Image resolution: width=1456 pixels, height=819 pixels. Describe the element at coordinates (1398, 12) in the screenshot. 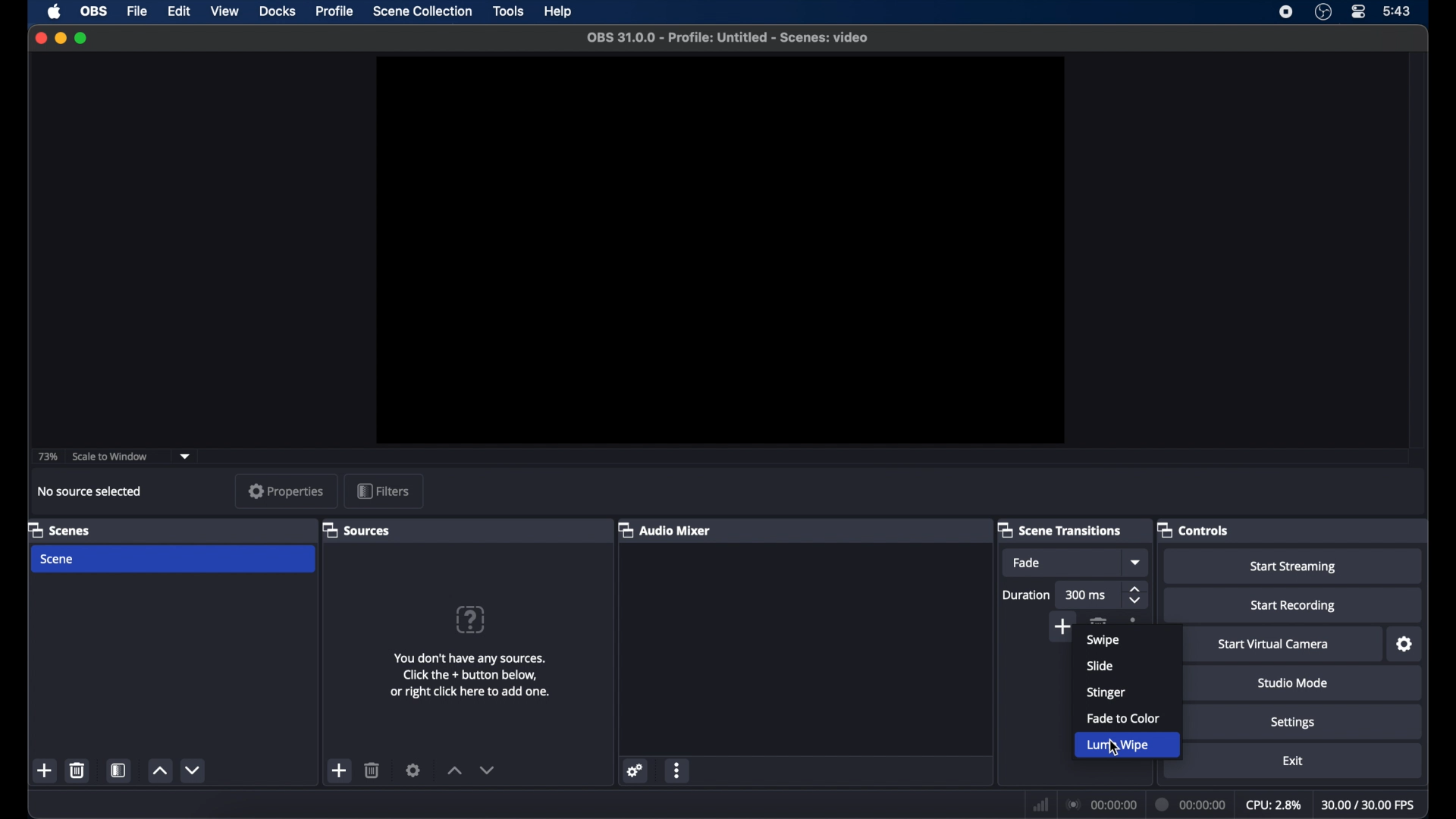

I see `time` at that location.